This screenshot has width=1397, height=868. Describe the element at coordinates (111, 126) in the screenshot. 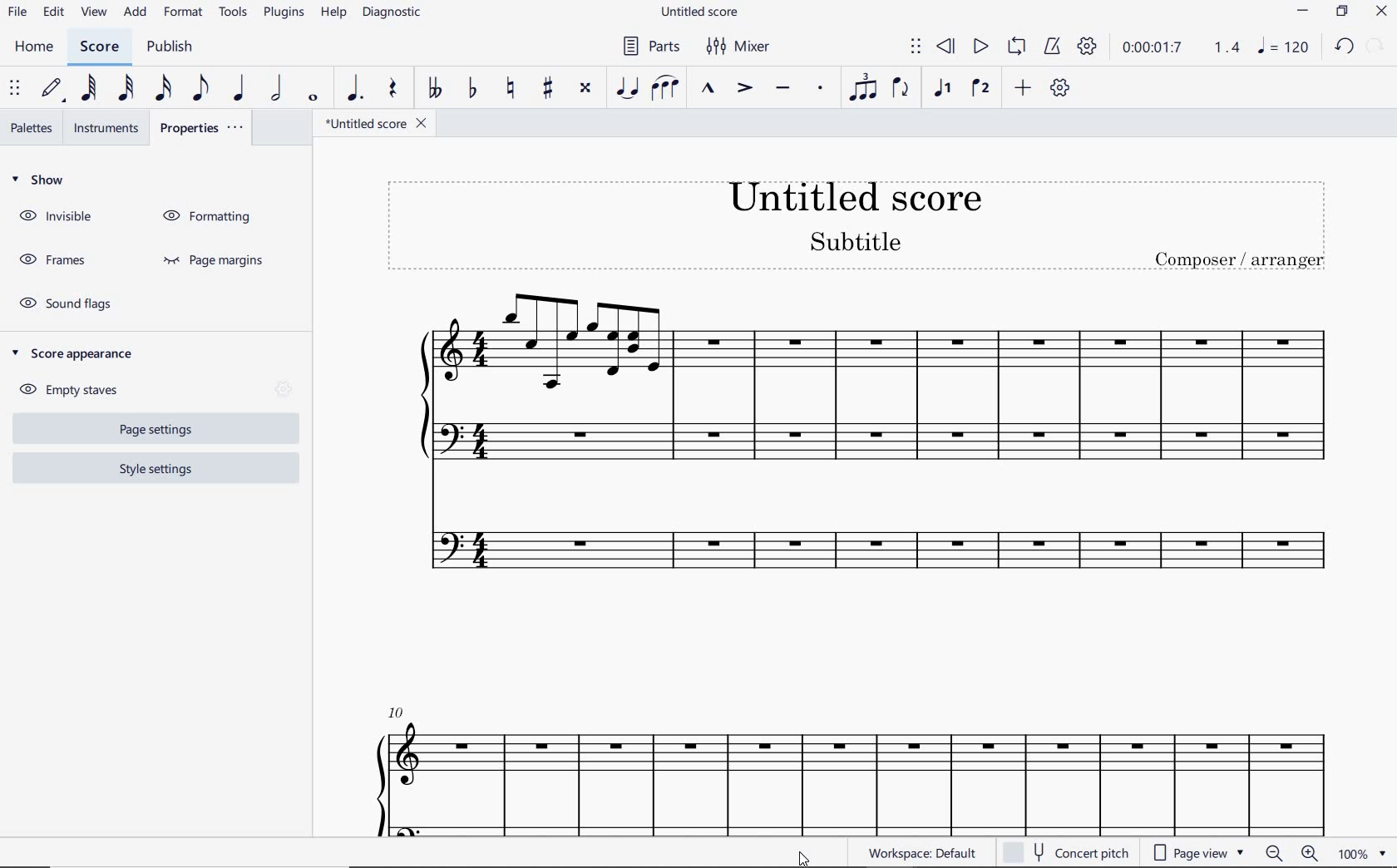

I see `INSTRUMENTS` at that location.